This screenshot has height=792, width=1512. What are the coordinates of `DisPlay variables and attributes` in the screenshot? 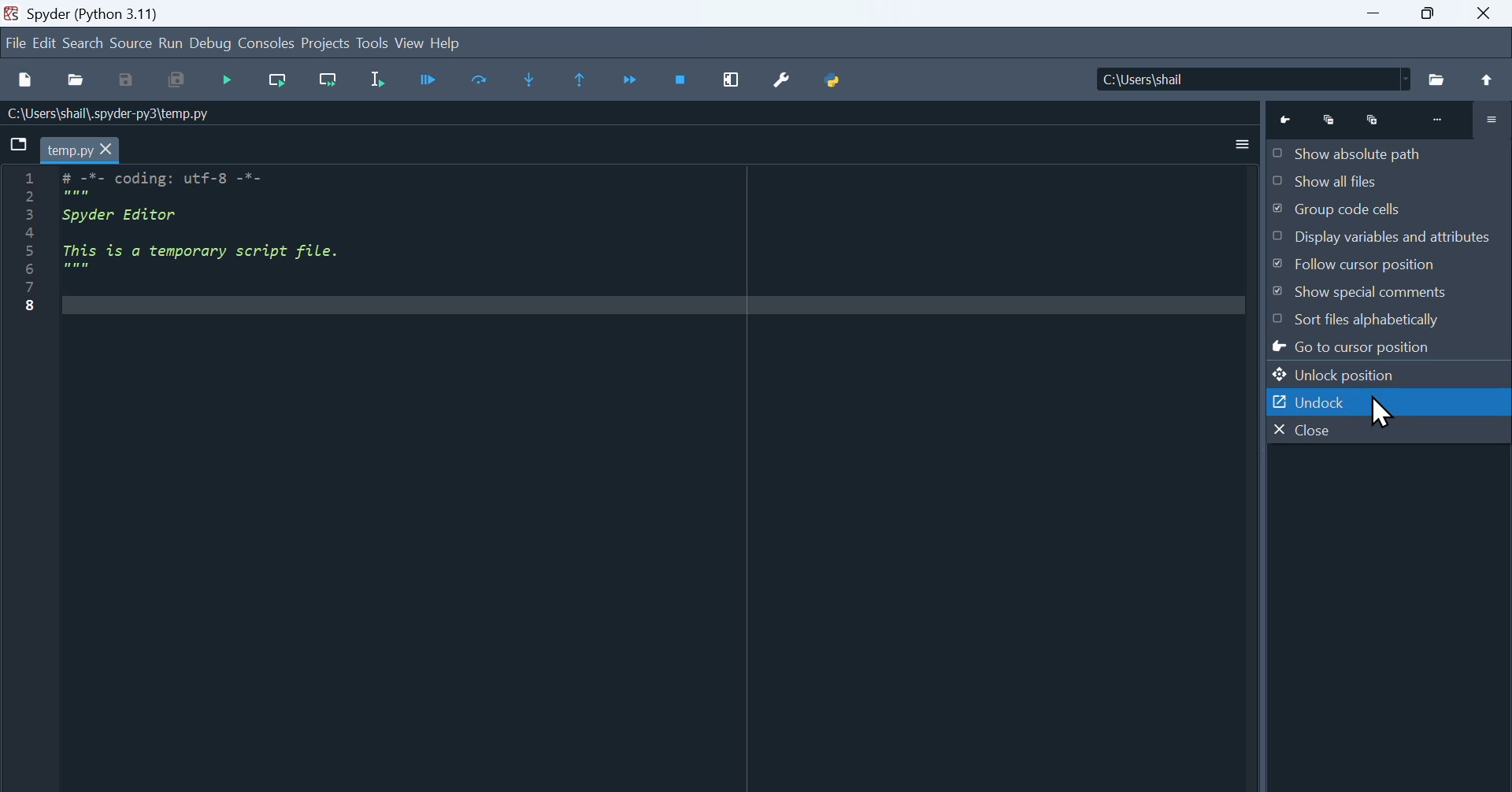 It's located at (1389, 237).